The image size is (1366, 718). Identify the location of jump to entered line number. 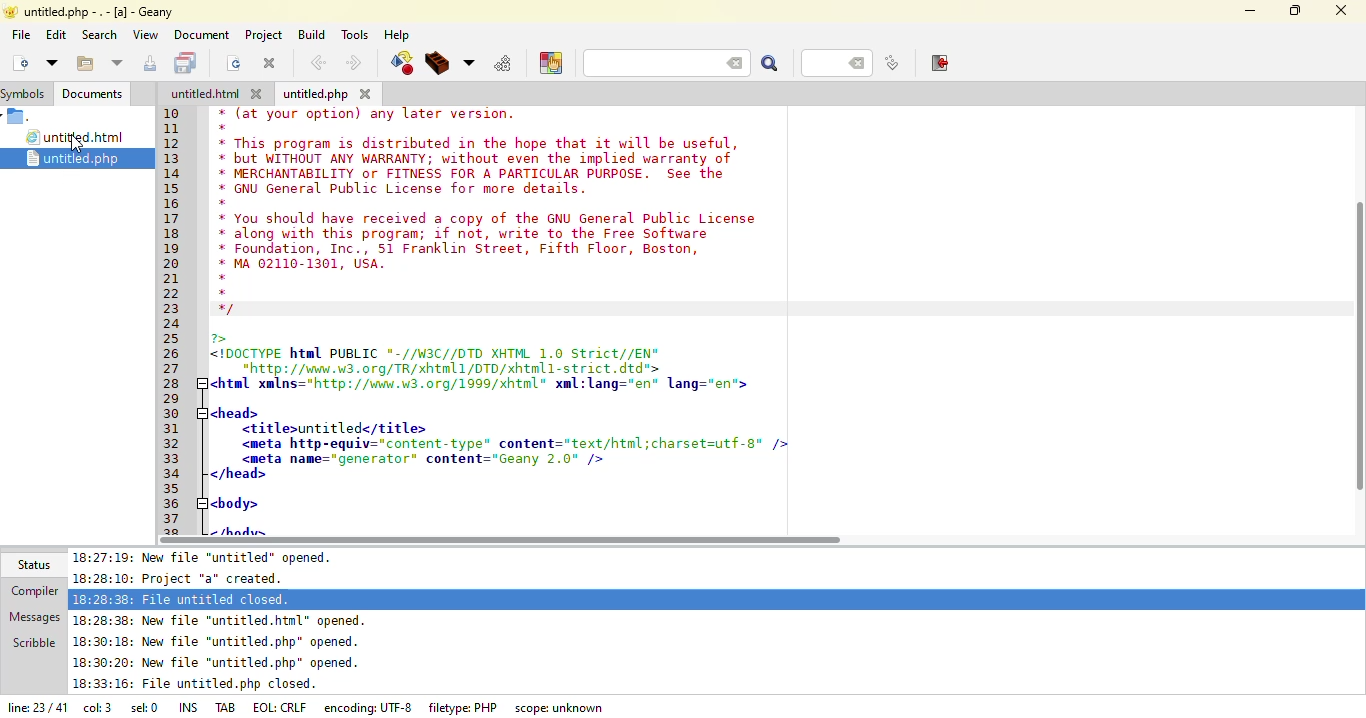
(834, 64).